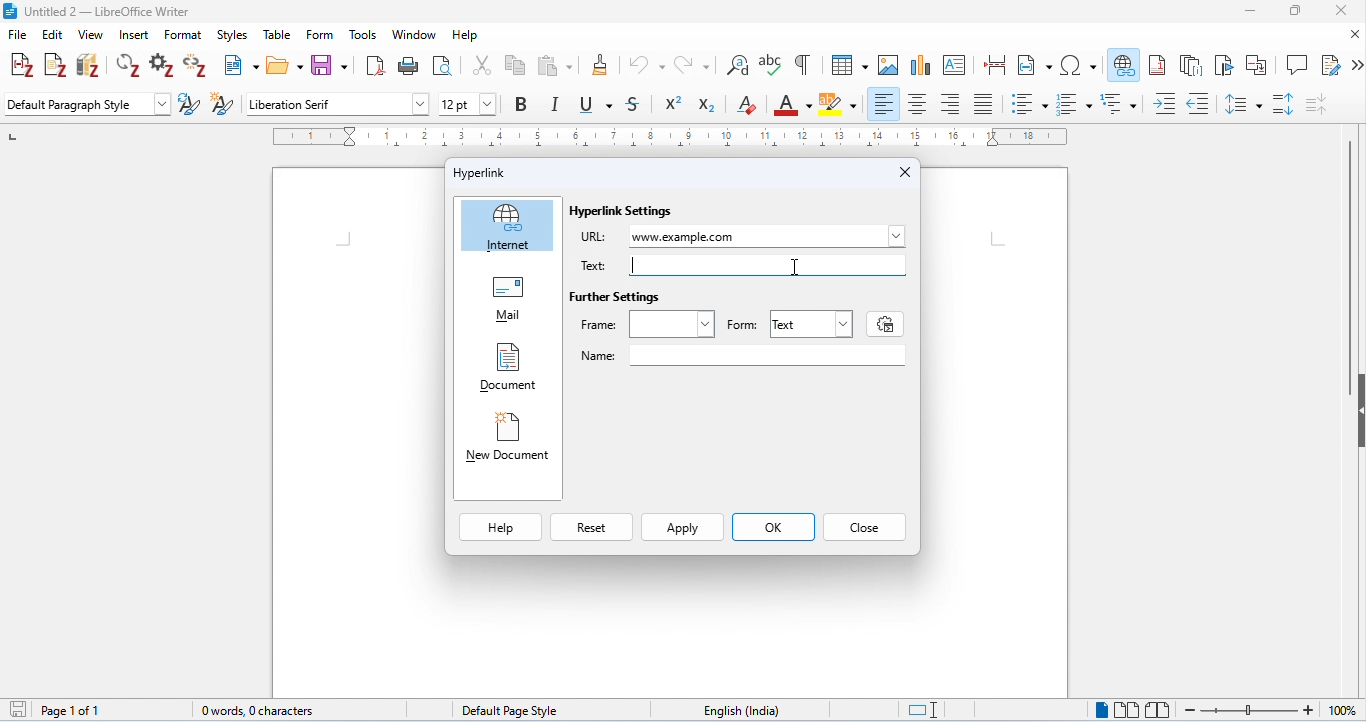  I want to click on New Document |, so click(510, 438).